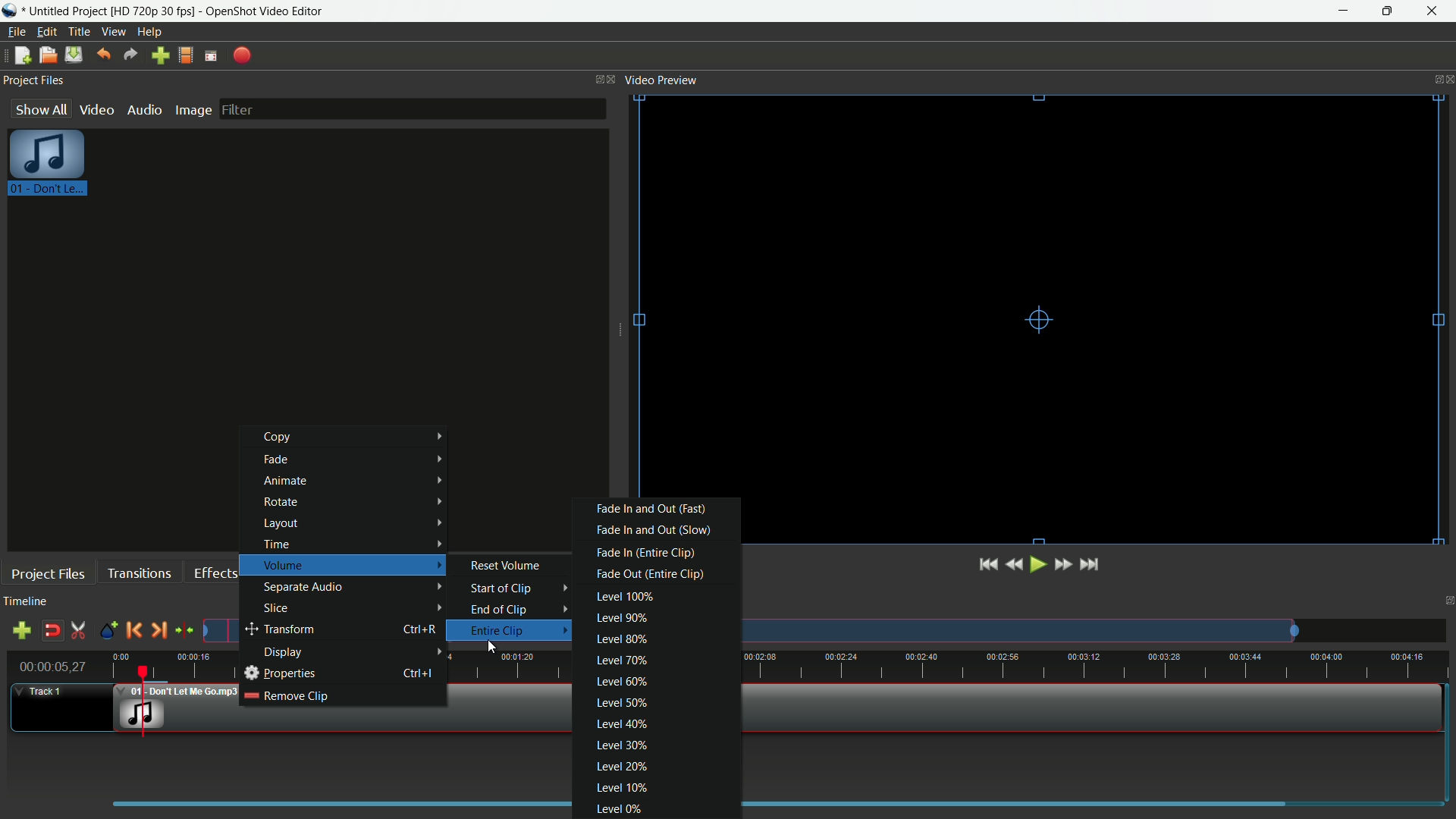 The height and width of the screenshot is (819, 1456). Describe the element at coordinates (623, 704) in the screenshot. I see `level 50%` at that location.